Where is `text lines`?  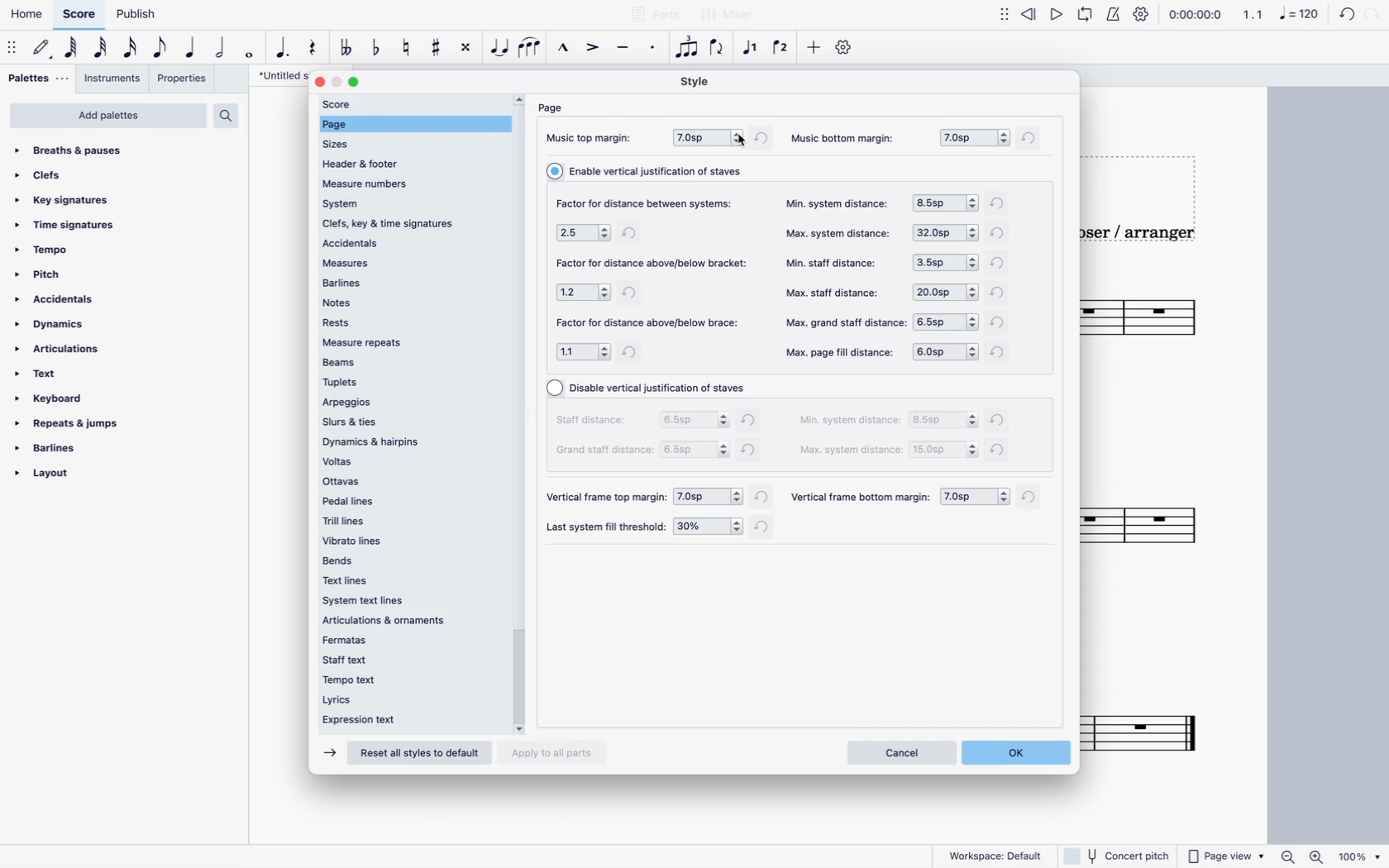
text lines is located at coordinates (360, 581).